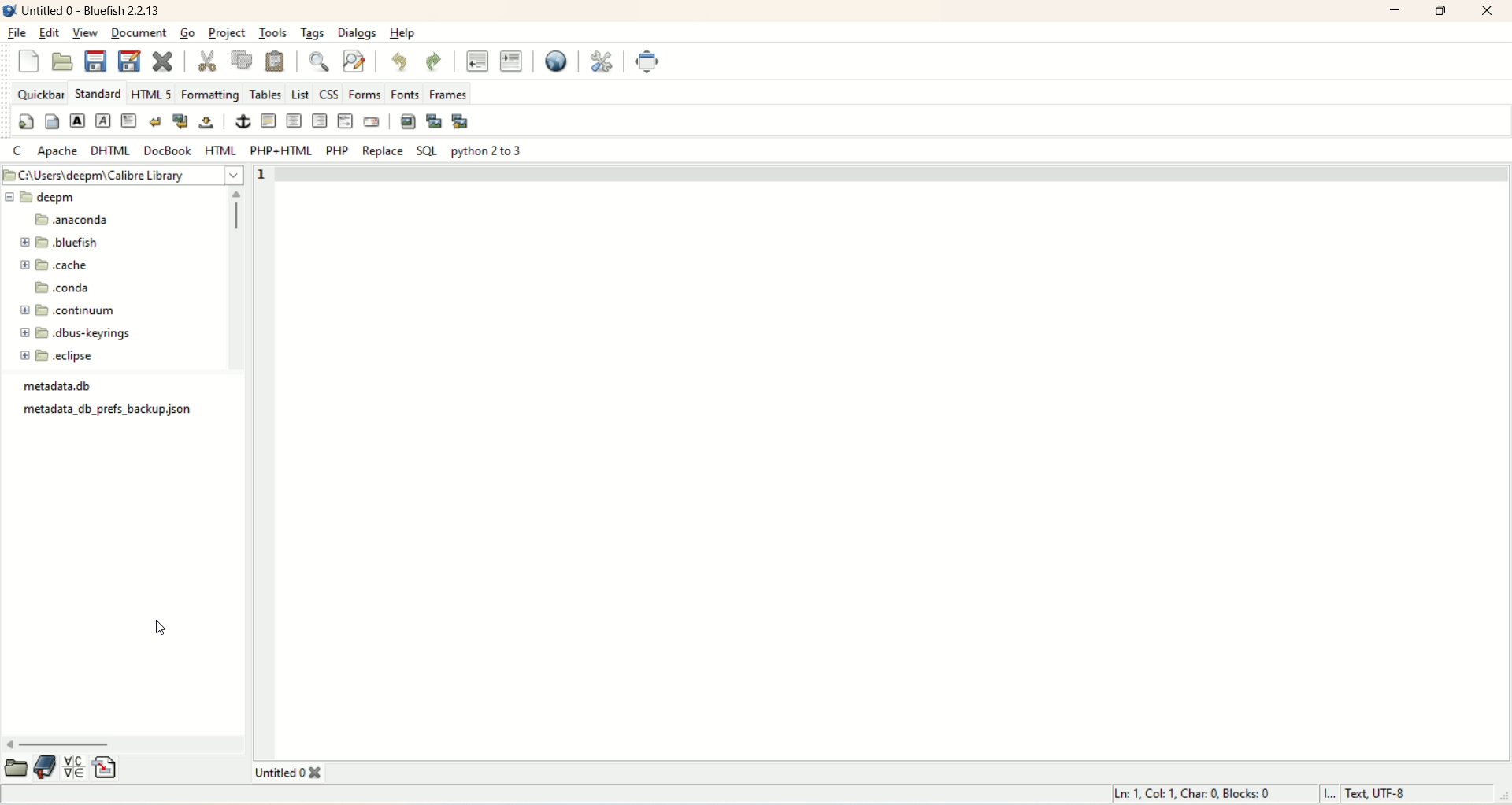 The height and width of the screenshot is (805, 1512). I want to click on horizontal rule, so click(270, 121).